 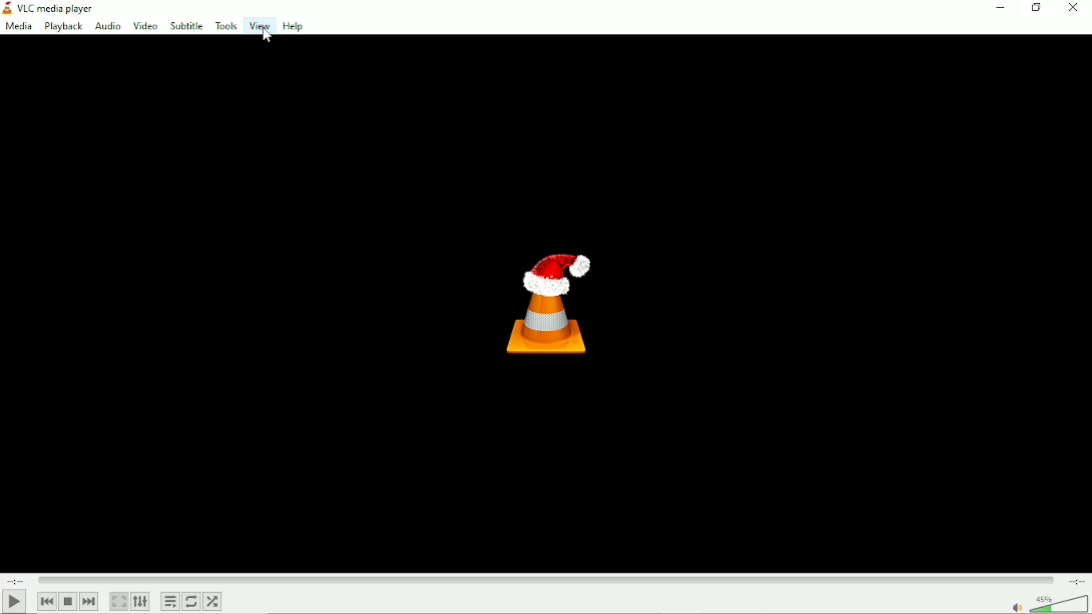 What do you see at coordinates (293, 26) in the screenshot?
I see `Help` at bounding box center [293, 26].